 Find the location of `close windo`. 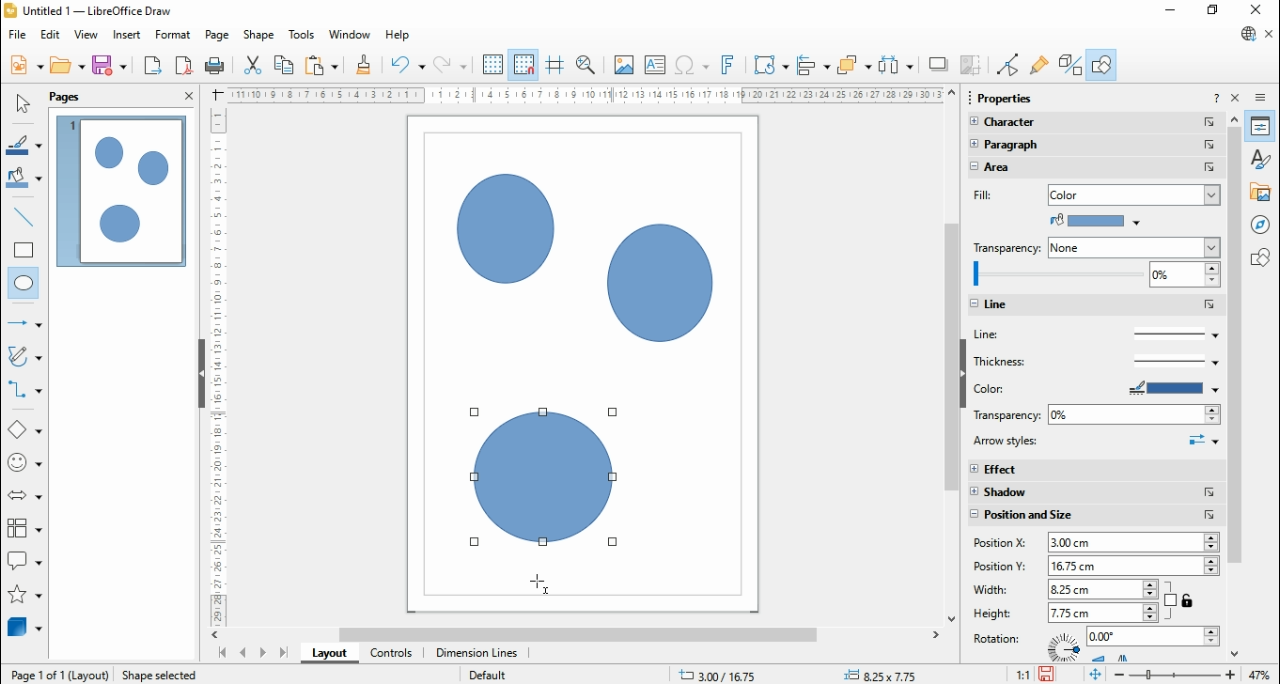

close windo is located at coordinates (1259, 11).